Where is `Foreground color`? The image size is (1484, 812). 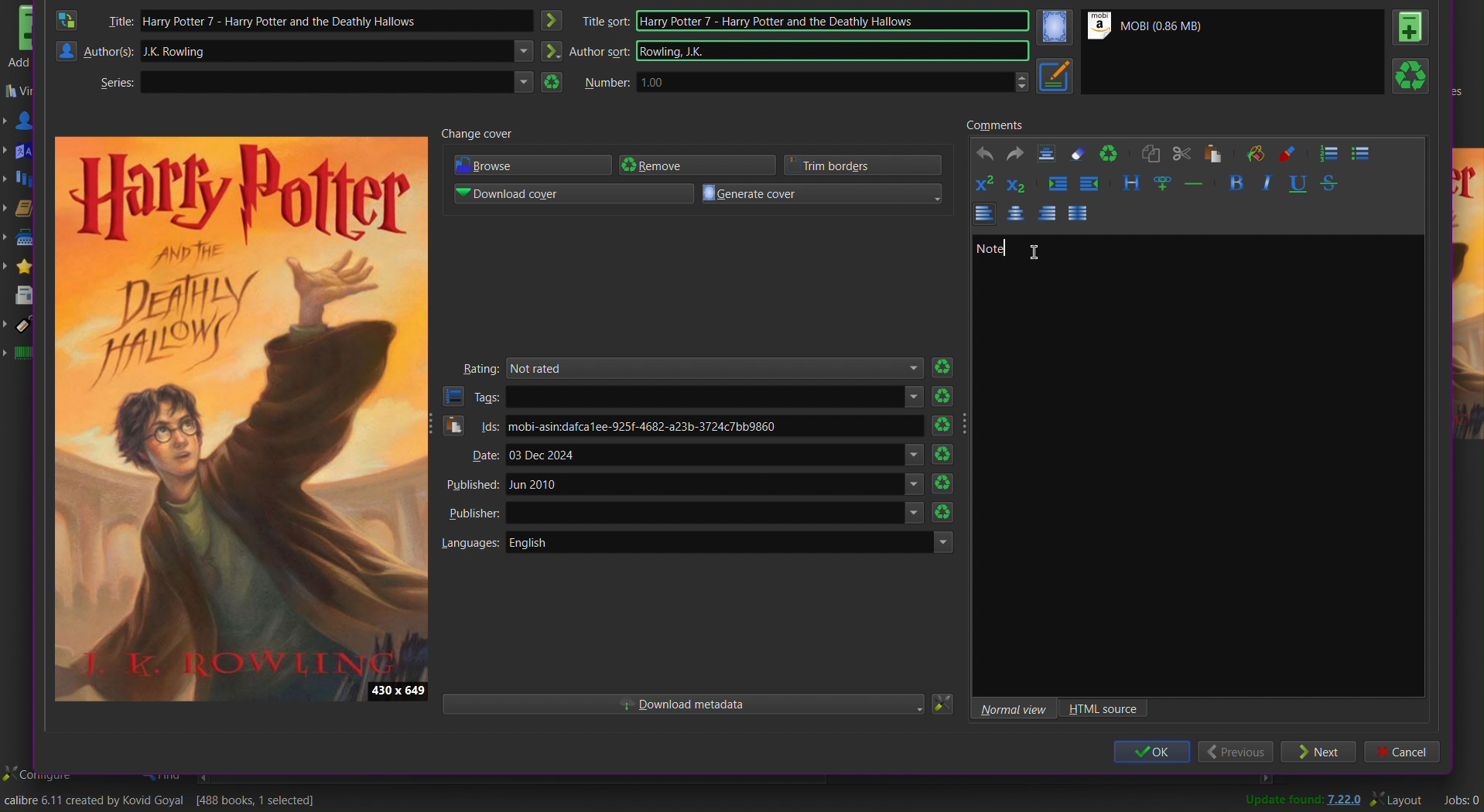
Foreground color is located at coordinates (1291, 152).